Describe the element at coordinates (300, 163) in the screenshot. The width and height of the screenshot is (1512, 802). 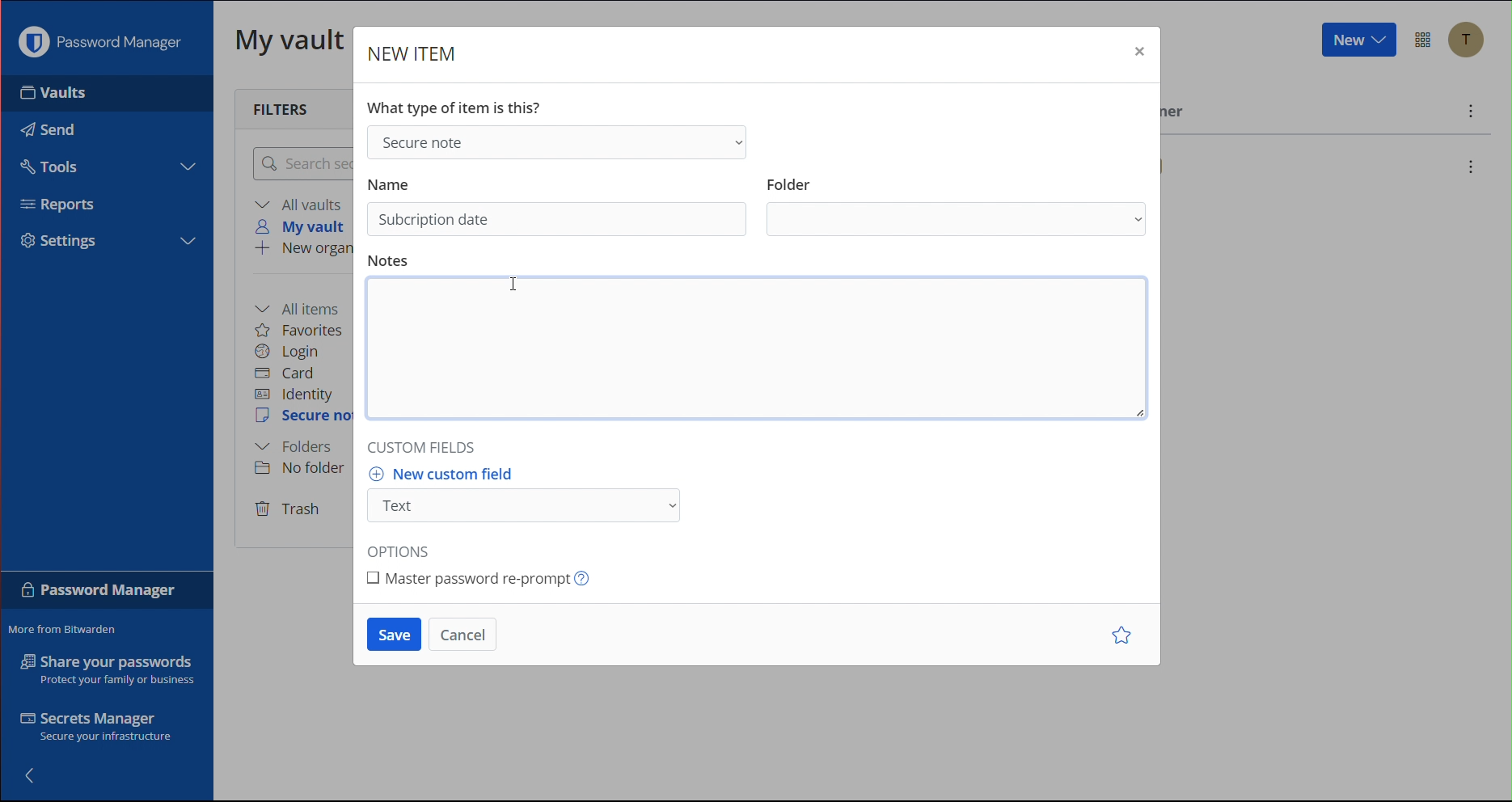
I see `Search secure notes` at that location.